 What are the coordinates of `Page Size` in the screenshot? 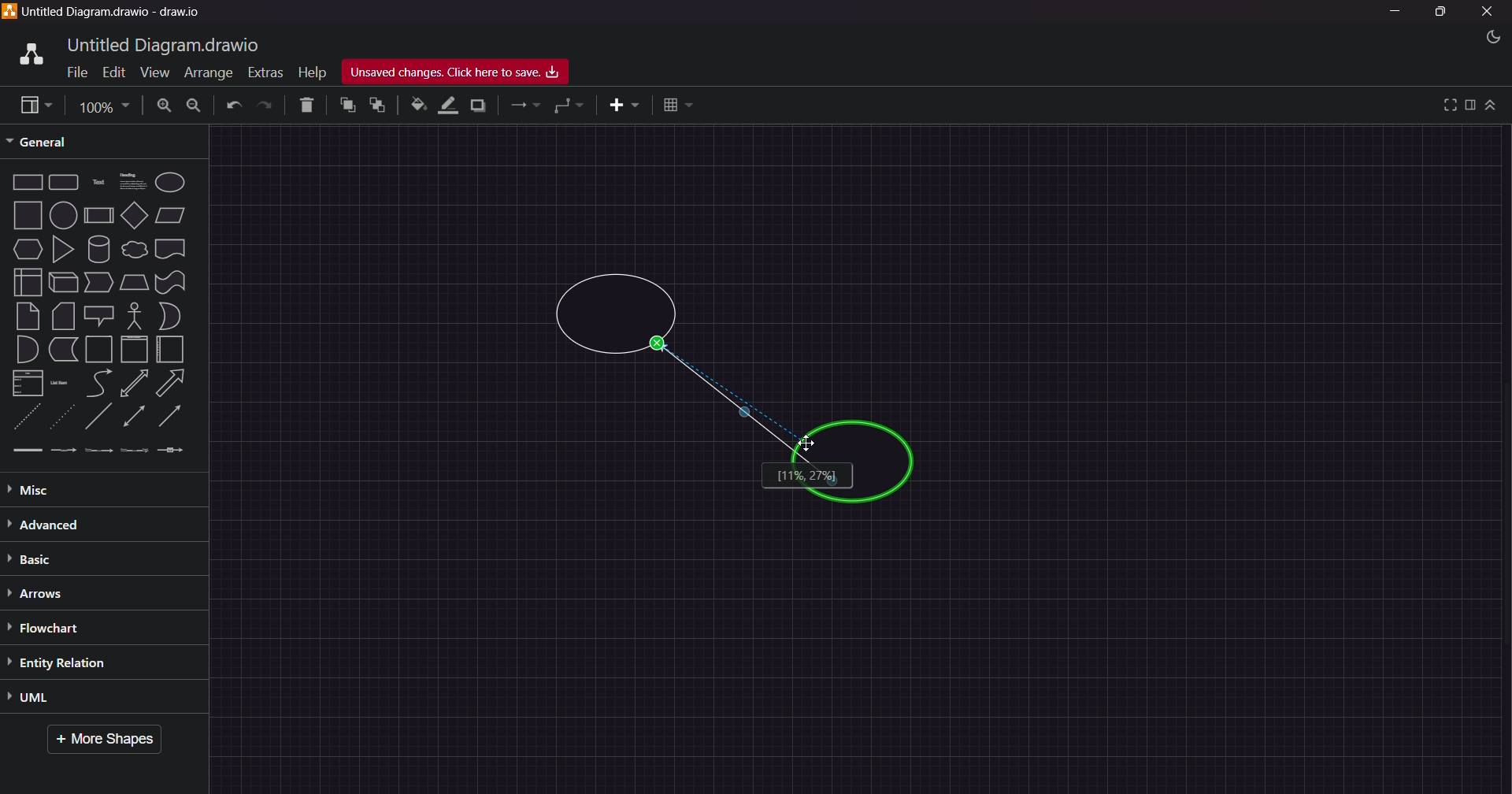 It's located at (102, 105).